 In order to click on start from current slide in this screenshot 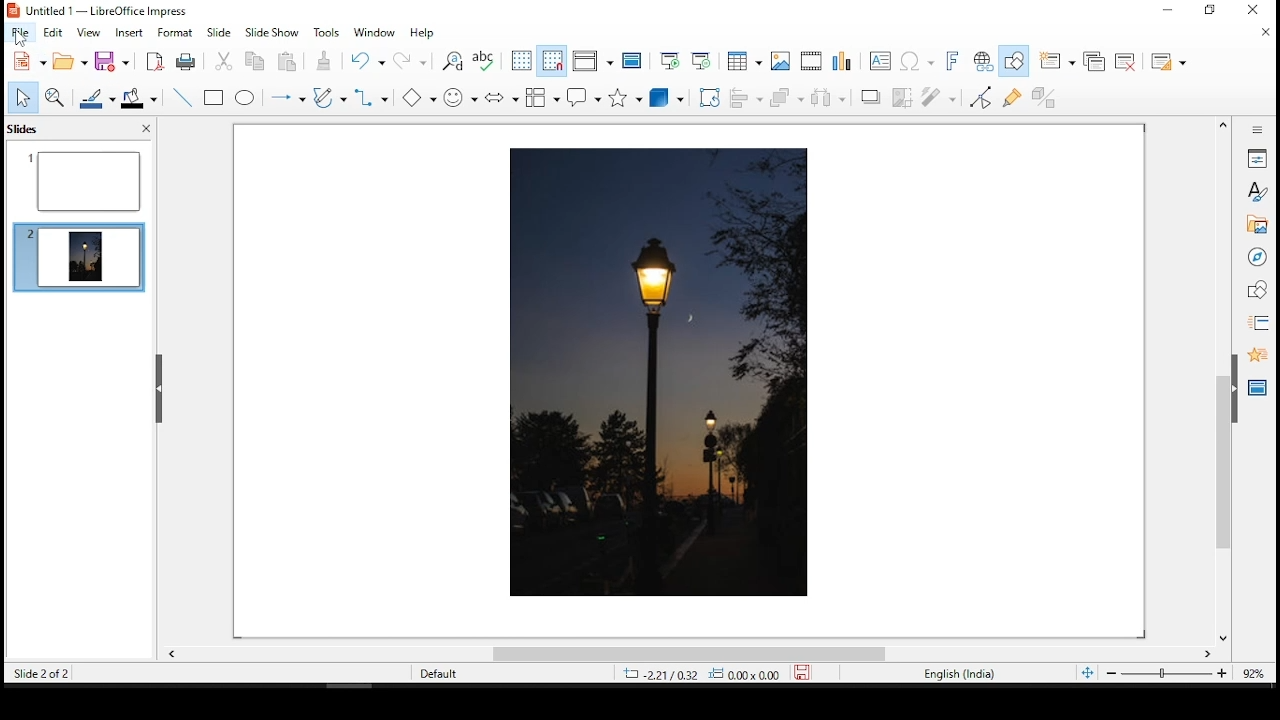, I will do `click(703, 59)`.